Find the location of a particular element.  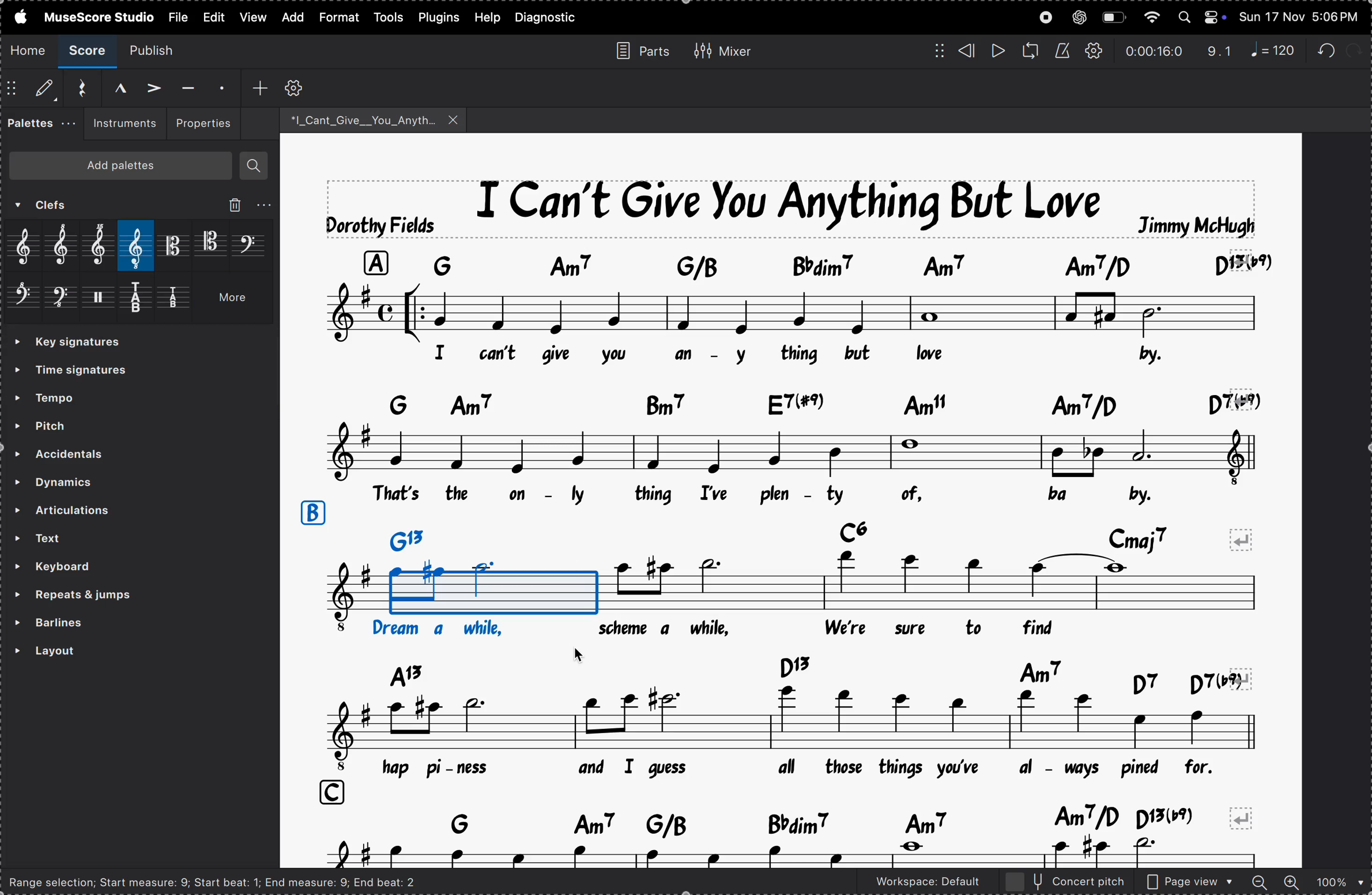

alto clef is located at coordinates (174, 245).